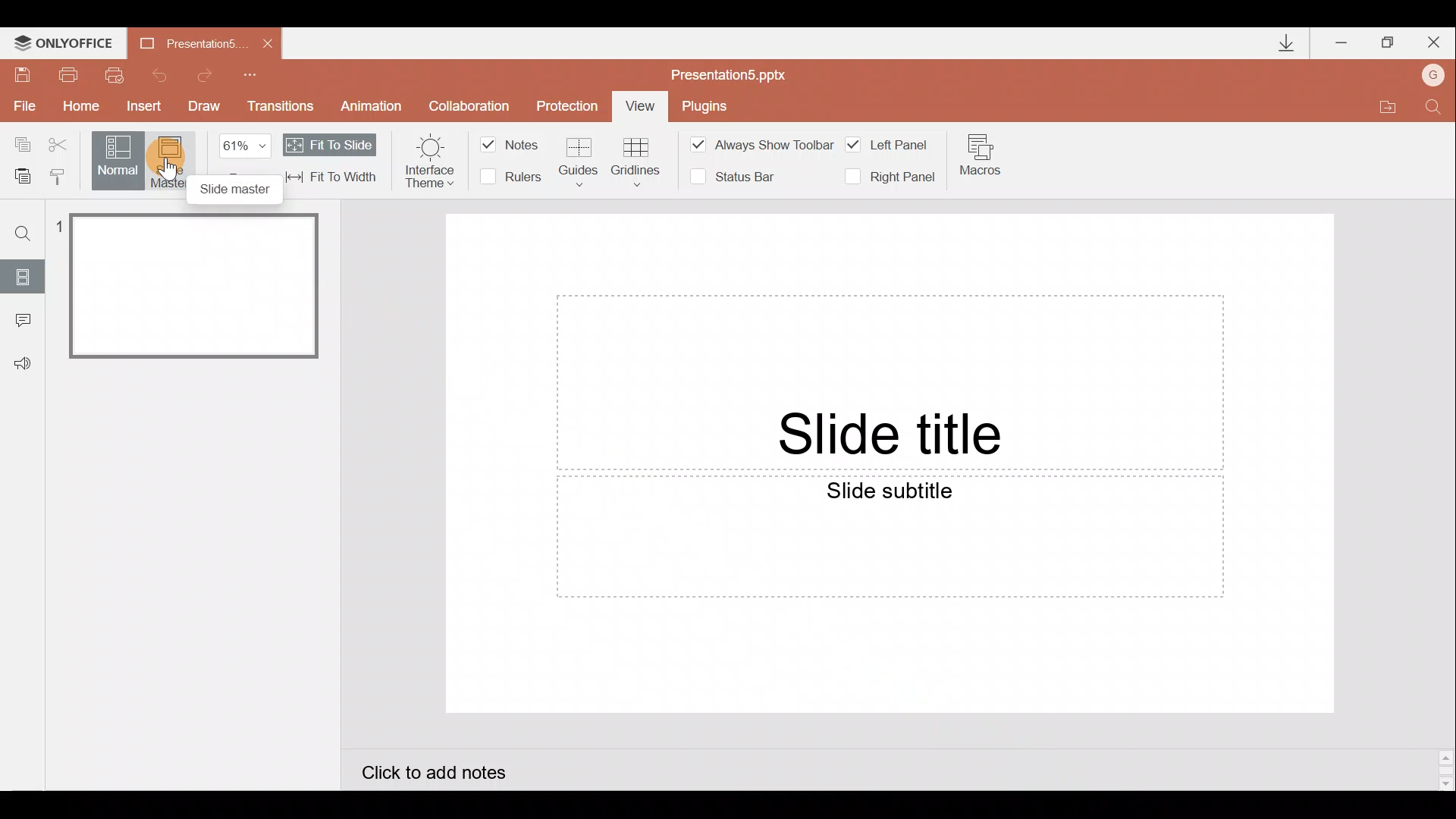  Describe the element at coordinates (237, 190) in the screenshot. I see `Slide master` at that location.